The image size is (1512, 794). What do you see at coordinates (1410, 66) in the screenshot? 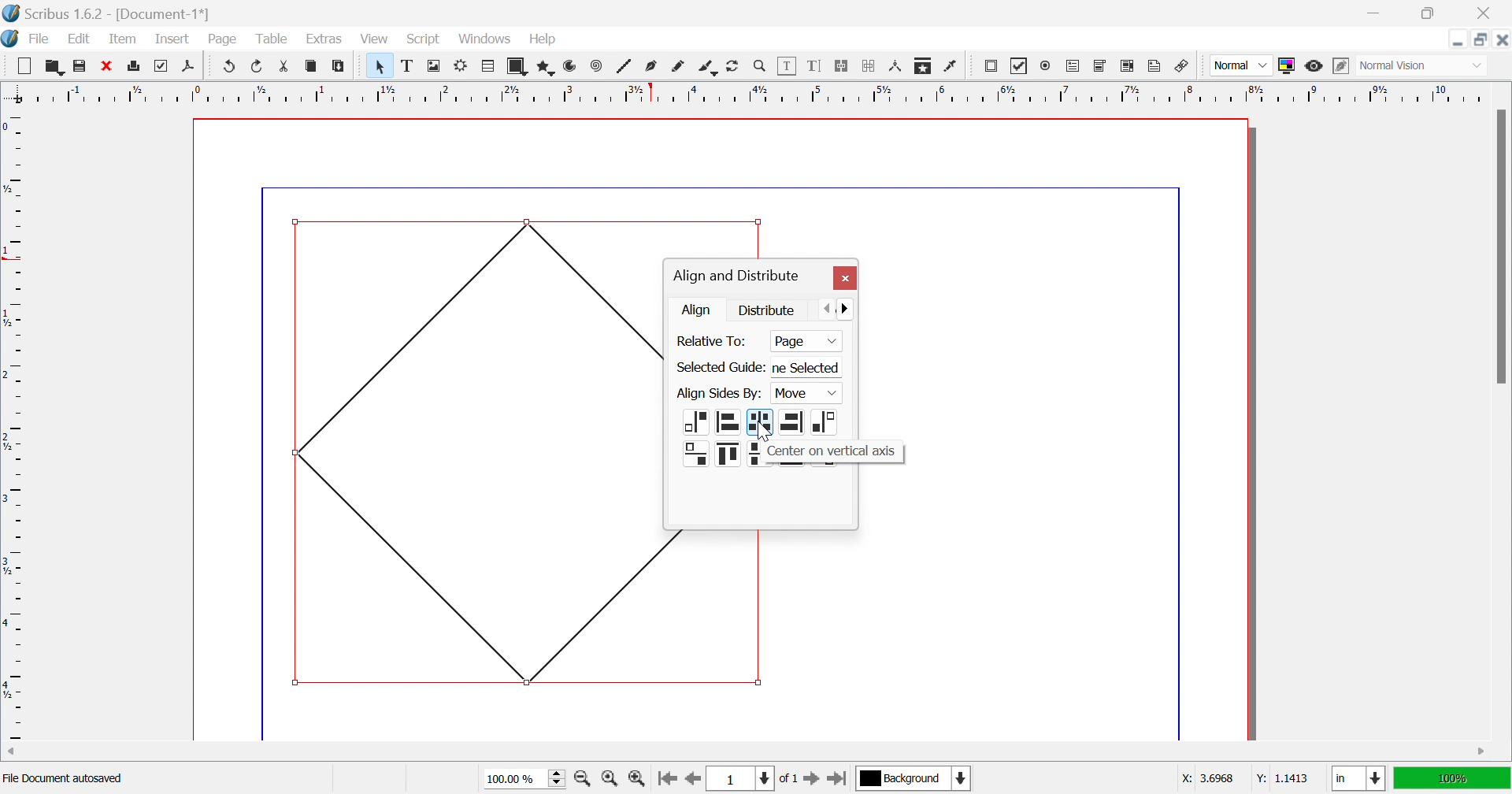
I see `normal vision` at bounding box center [1410, 66].